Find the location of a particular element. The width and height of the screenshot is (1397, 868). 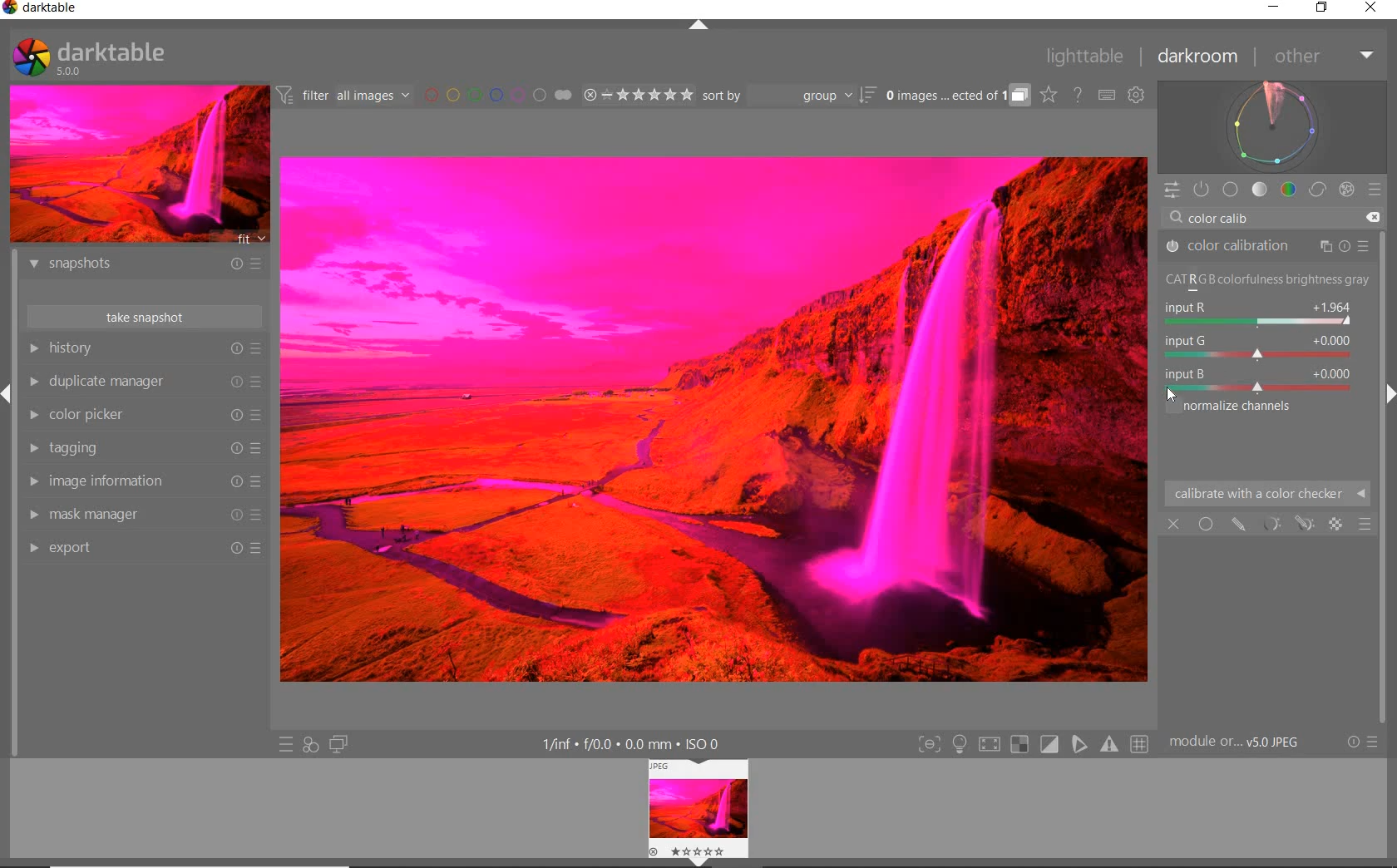

snapshots is located at coordinates (149, 266).